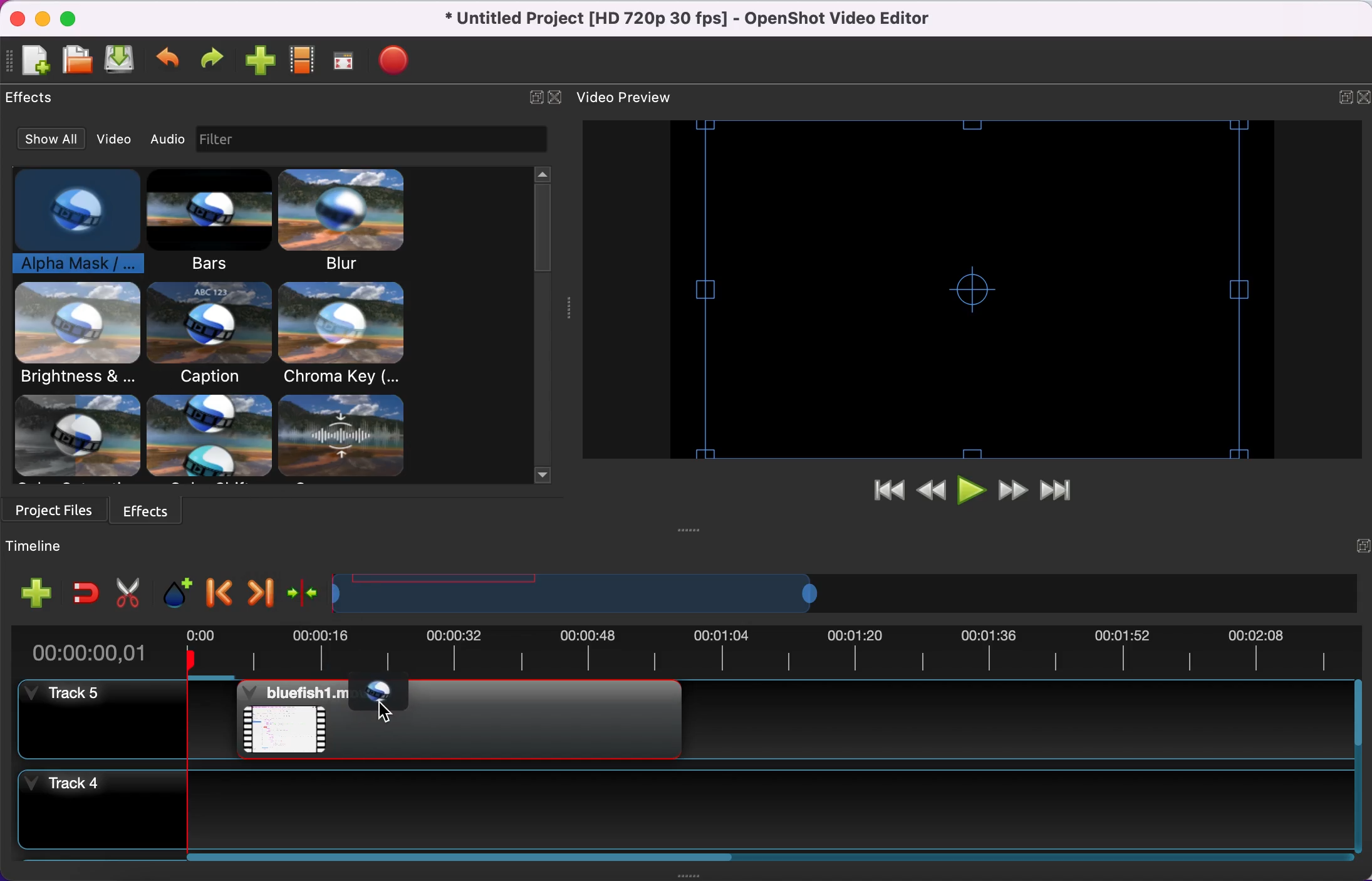 The width and height of the screenshot is (1372, 881). I want to click on expand/hide, so click(1344, 100).